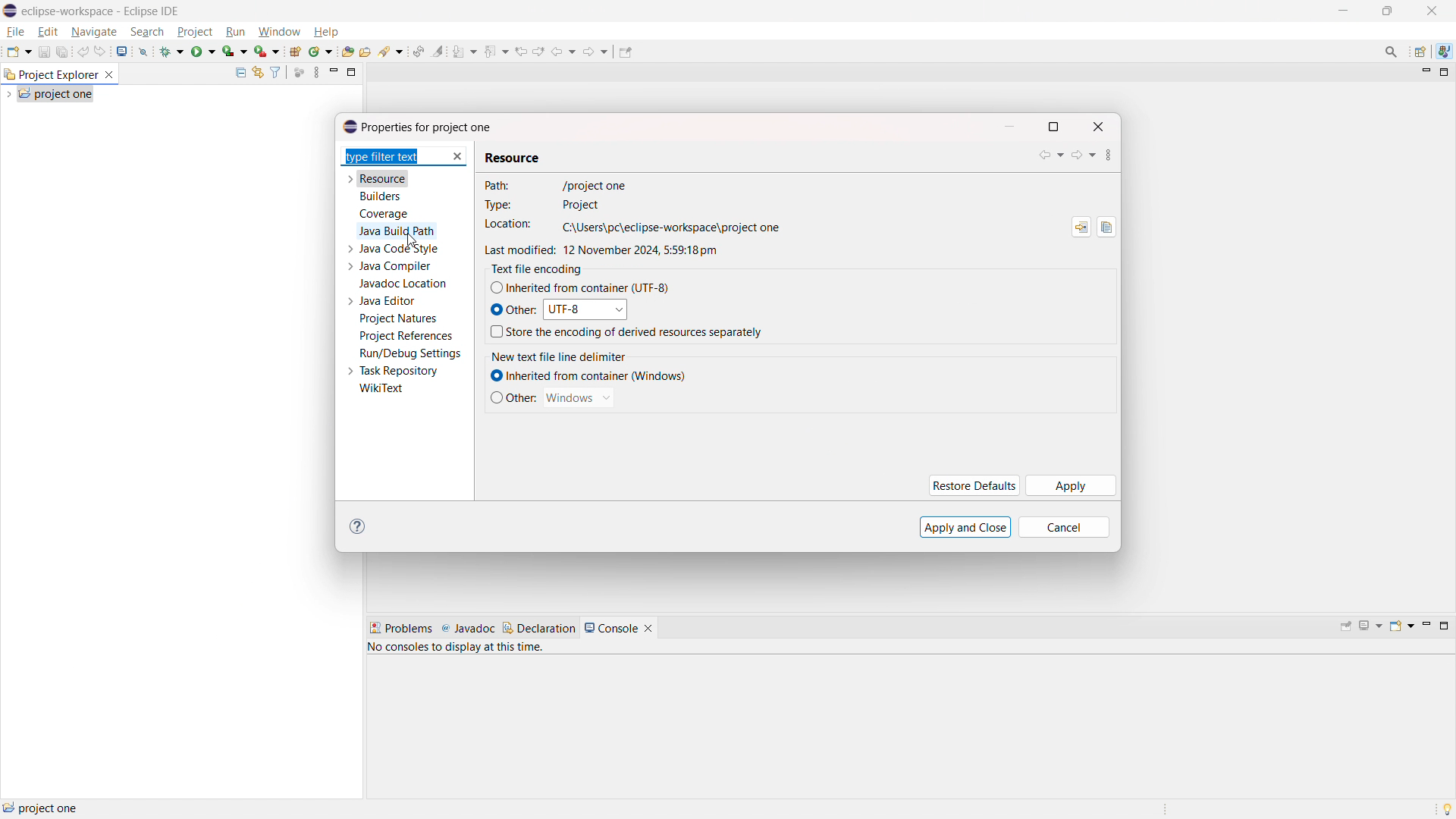 The width and height of the screenshot is (1456, 819). I want to click on minimize, so click(1424, 73).